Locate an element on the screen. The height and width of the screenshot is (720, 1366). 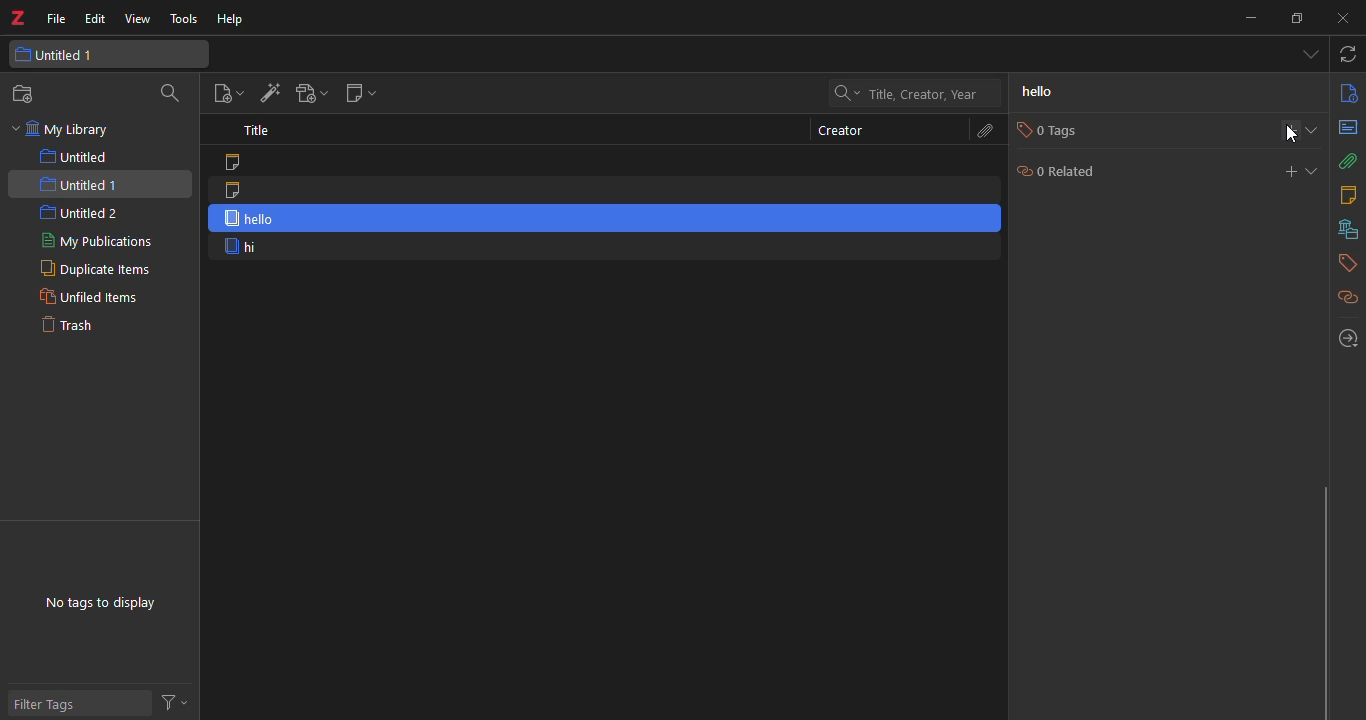
z is located at coordinates (22, 19).